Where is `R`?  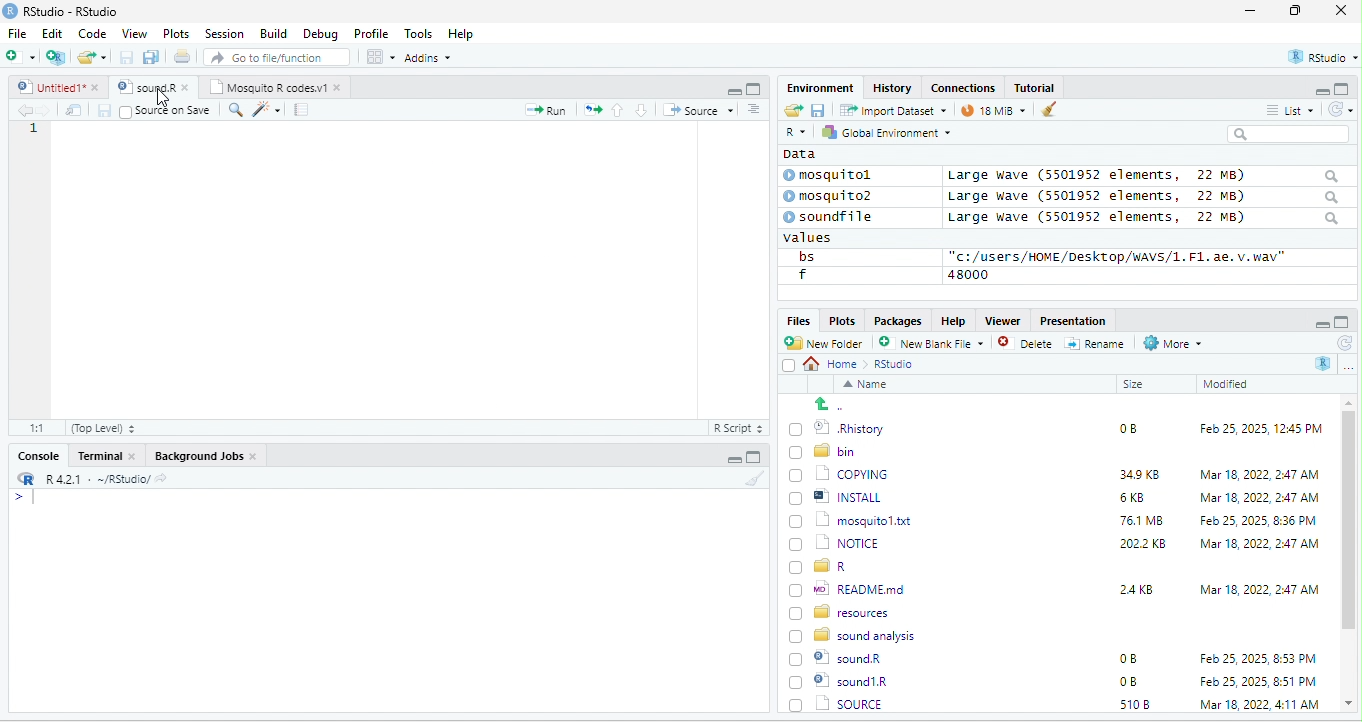
R is located at coordinates (1324, 363).